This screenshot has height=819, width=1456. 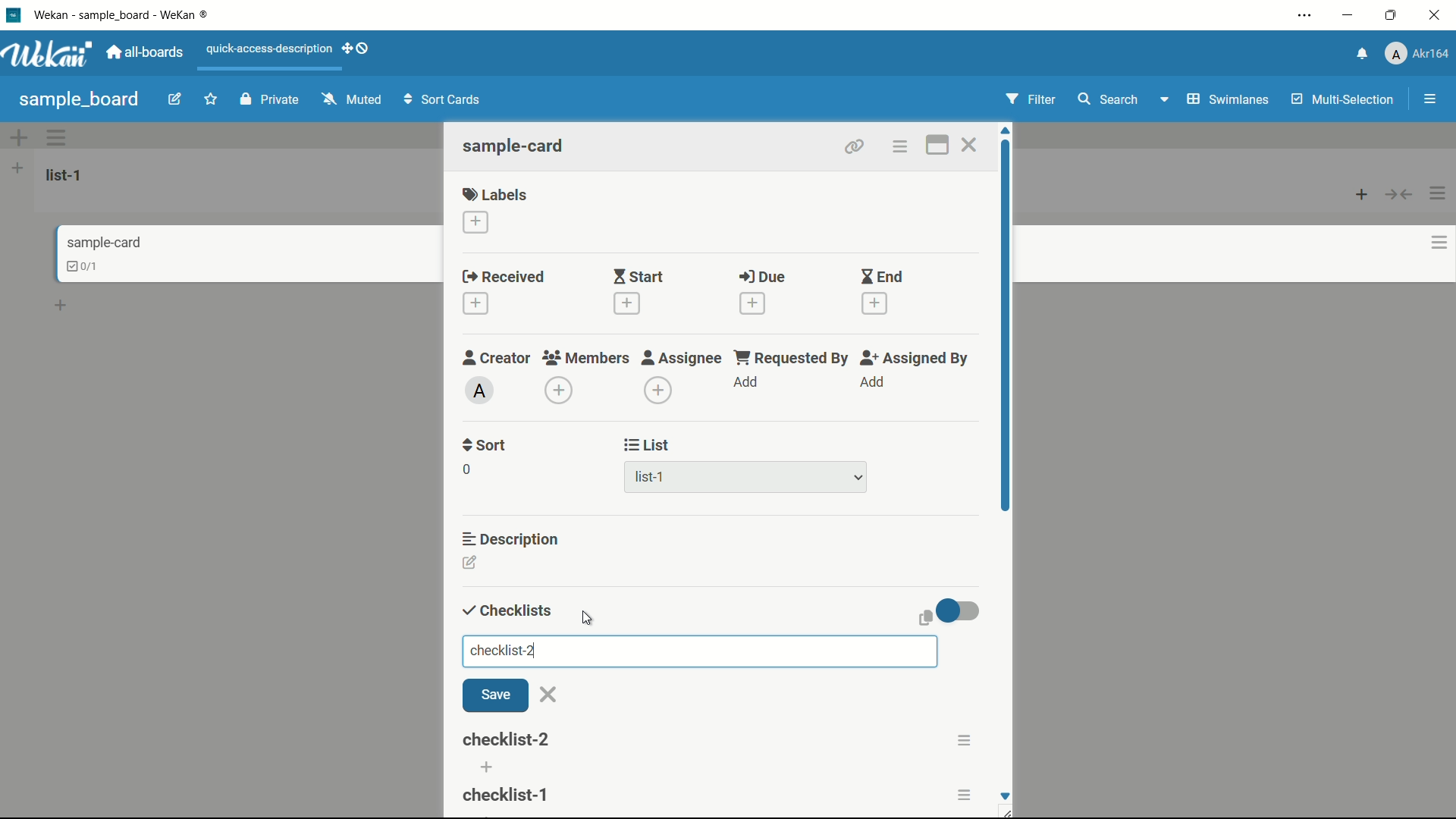 I want to click on multi selection, so click(x=1345, y=101).